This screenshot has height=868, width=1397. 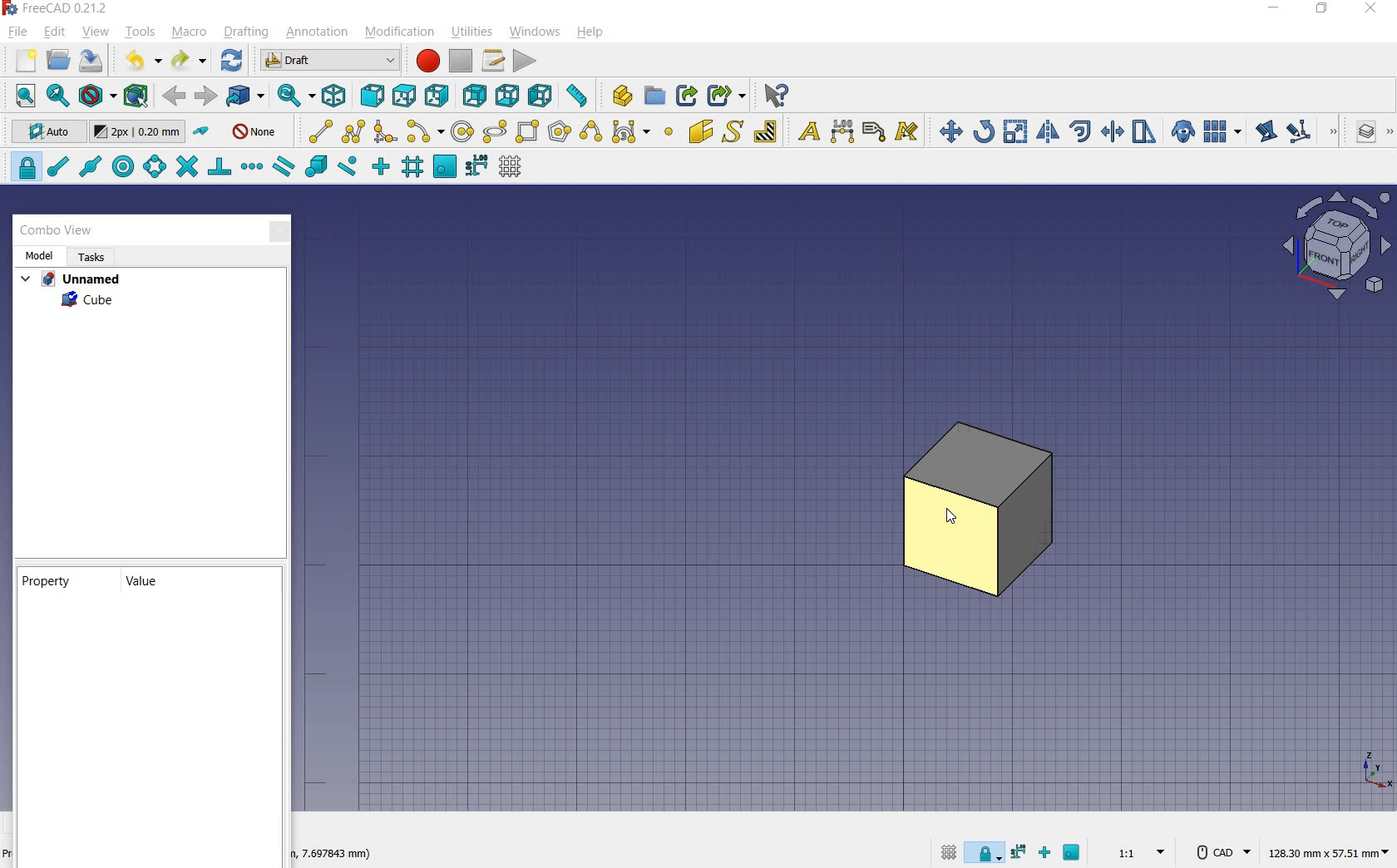 What do you see at coordinates (427, 62) in the screenshot?
I see `macro recording` at bounding box center [427, 62].